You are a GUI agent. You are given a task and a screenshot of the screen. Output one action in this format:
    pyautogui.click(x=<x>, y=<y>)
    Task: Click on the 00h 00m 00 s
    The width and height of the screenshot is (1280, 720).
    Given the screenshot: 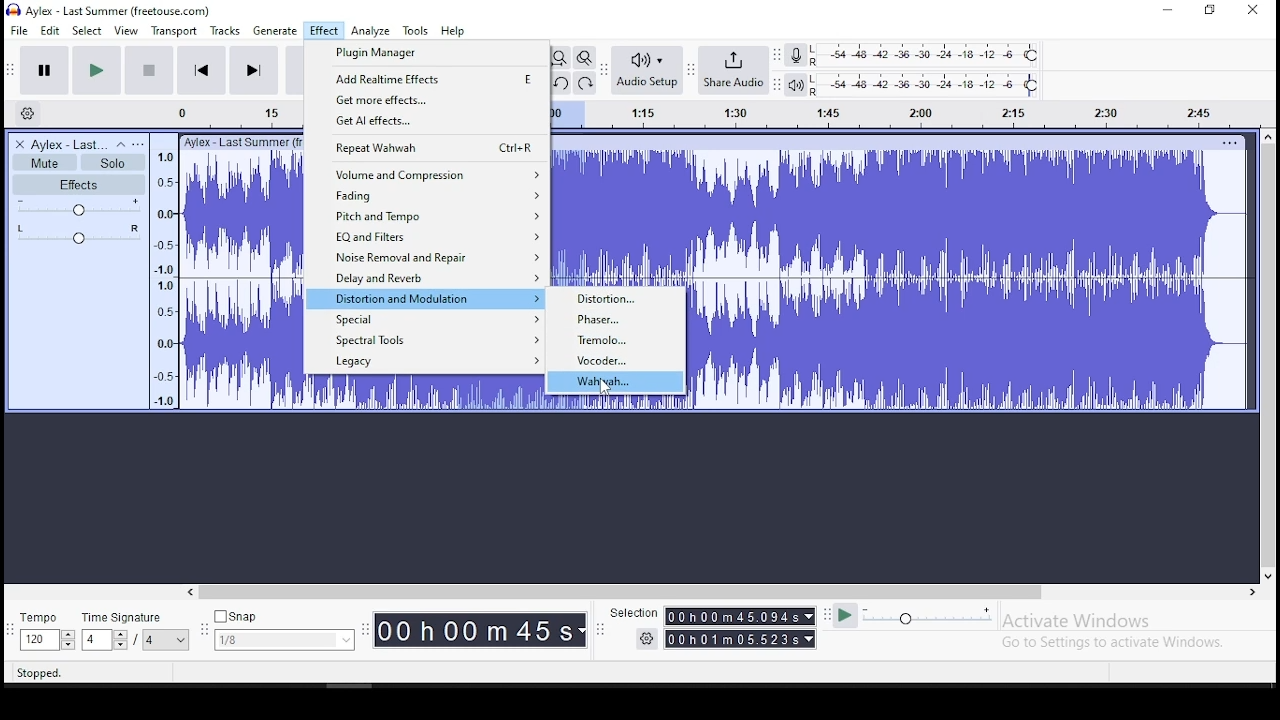 What is the action you would take?
    pyautogui.click(x=477, y=628)
    